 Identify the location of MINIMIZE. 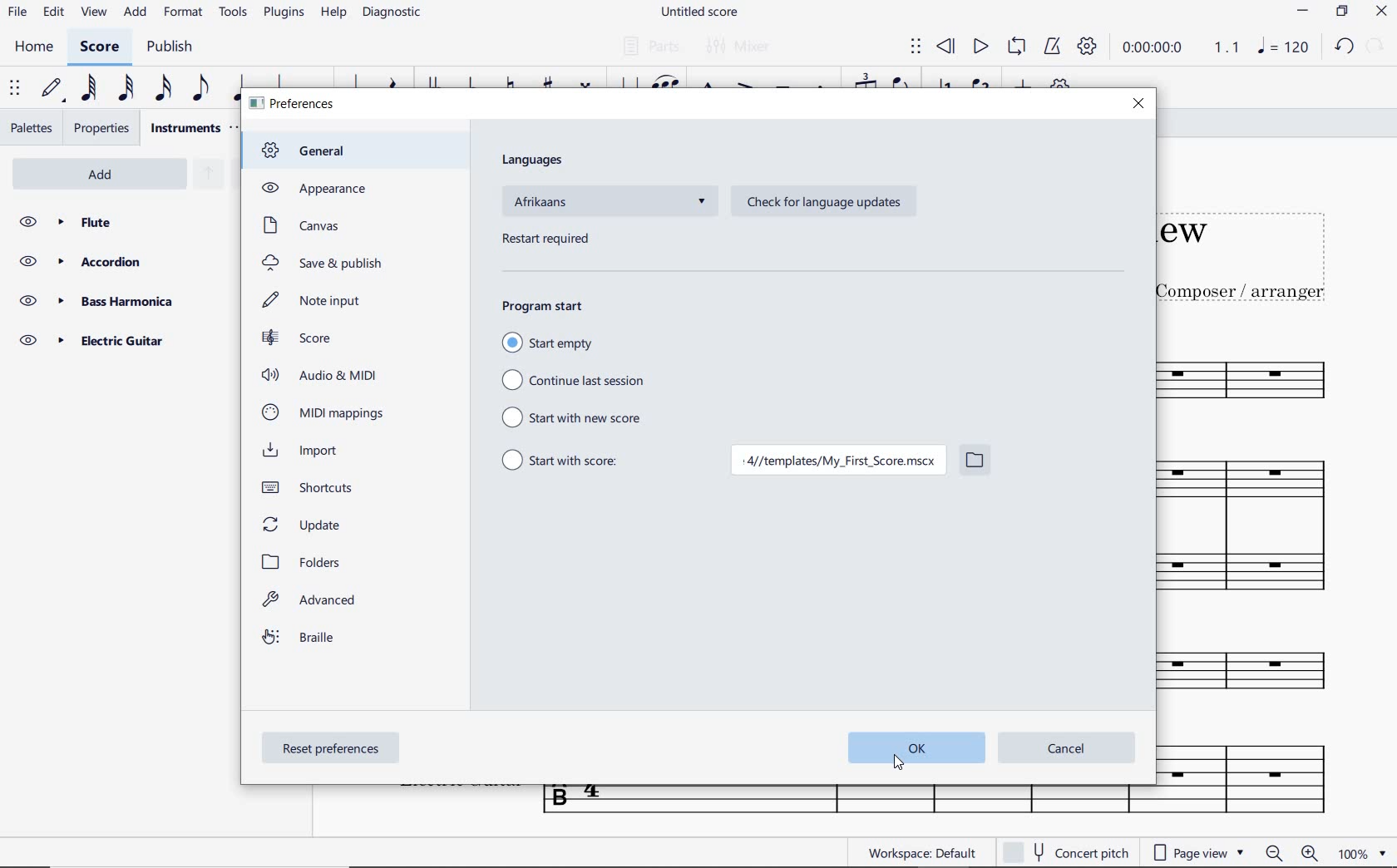
(1305, 13).